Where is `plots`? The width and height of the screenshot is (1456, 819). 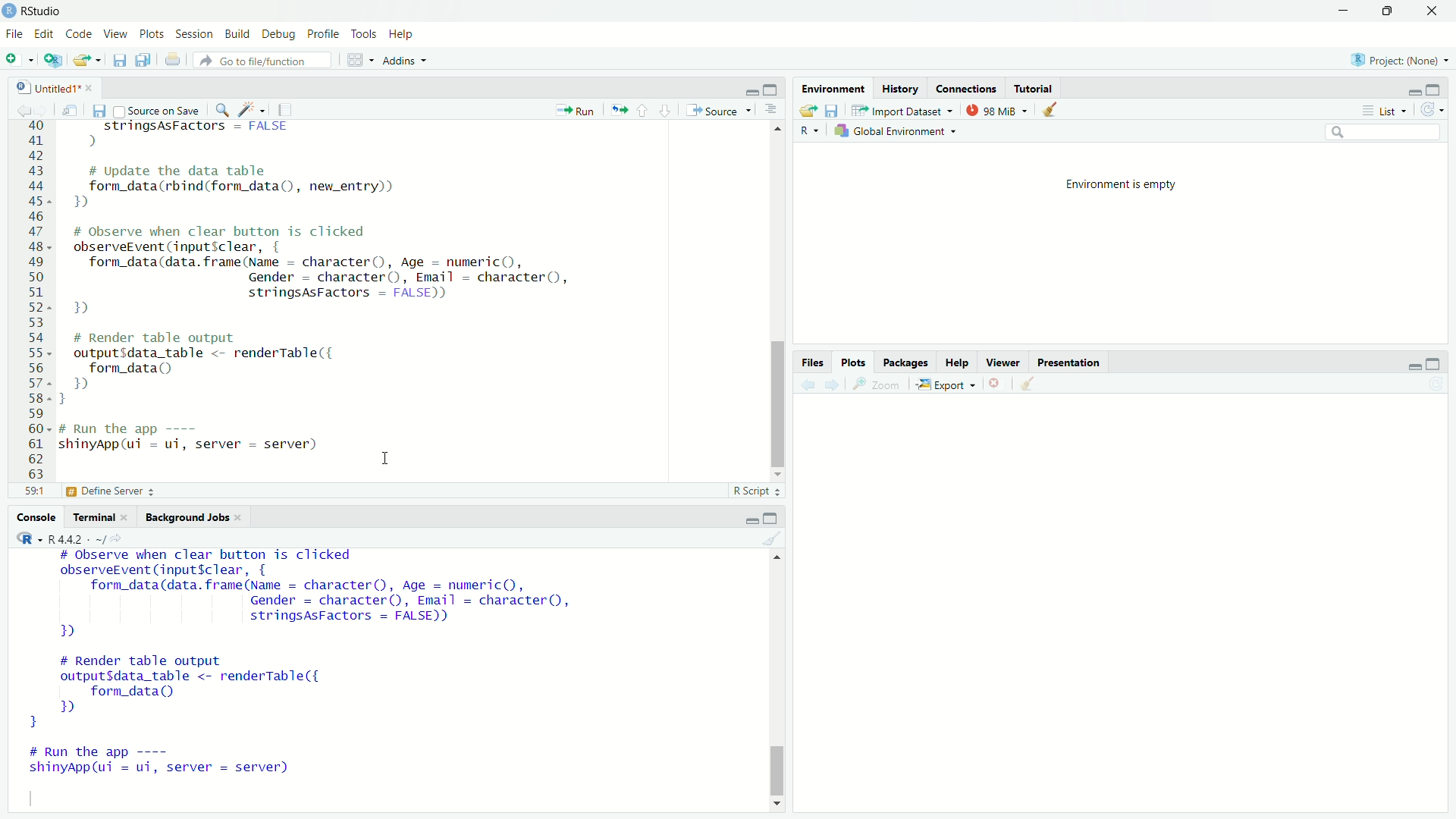
plots is located at coordinates (855, 362).